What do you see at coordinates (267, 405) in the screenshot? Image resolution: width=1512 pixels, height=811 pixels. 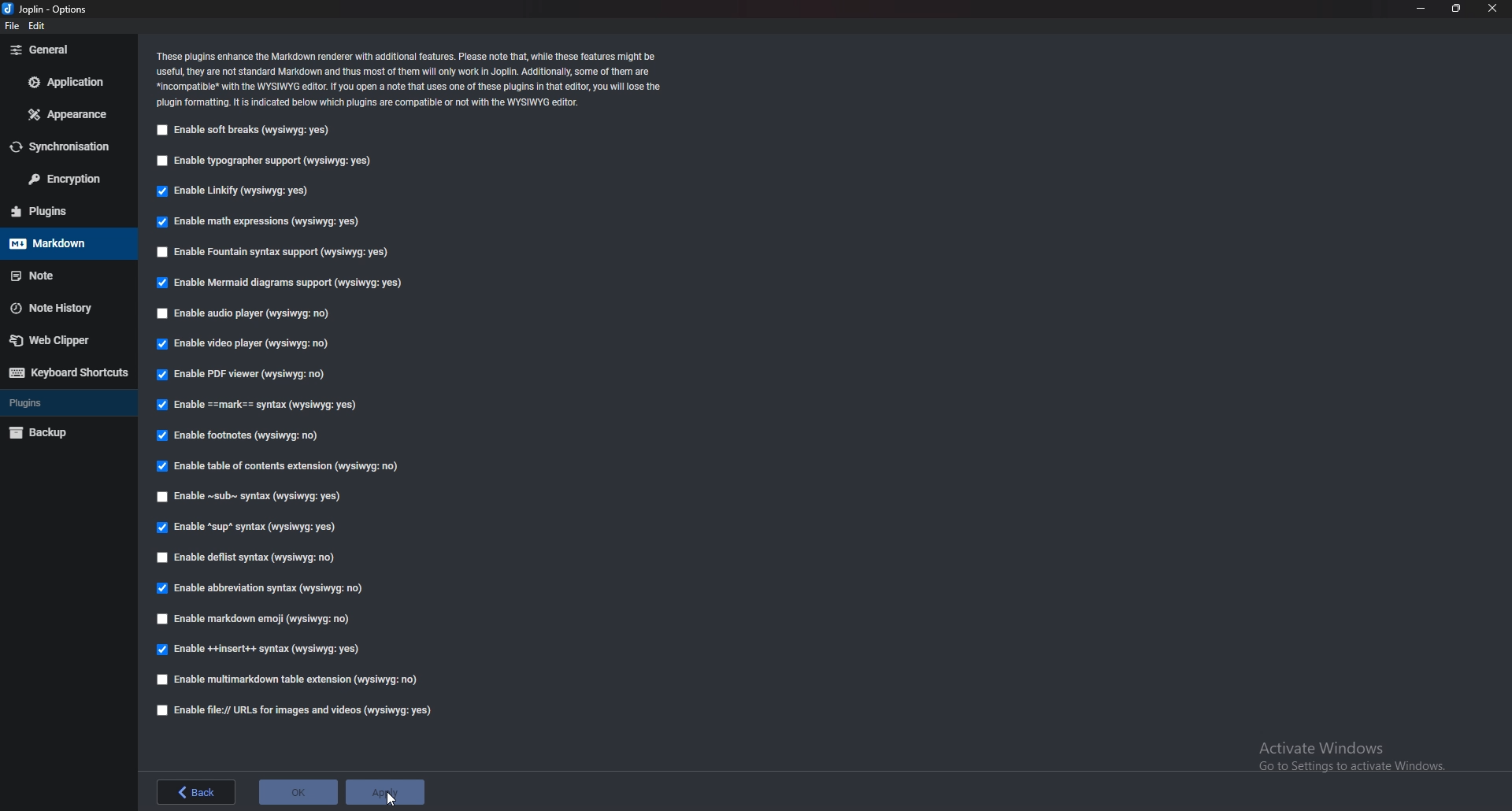 I see `Enable Mark Syntax` at bounding box center [267, 405].